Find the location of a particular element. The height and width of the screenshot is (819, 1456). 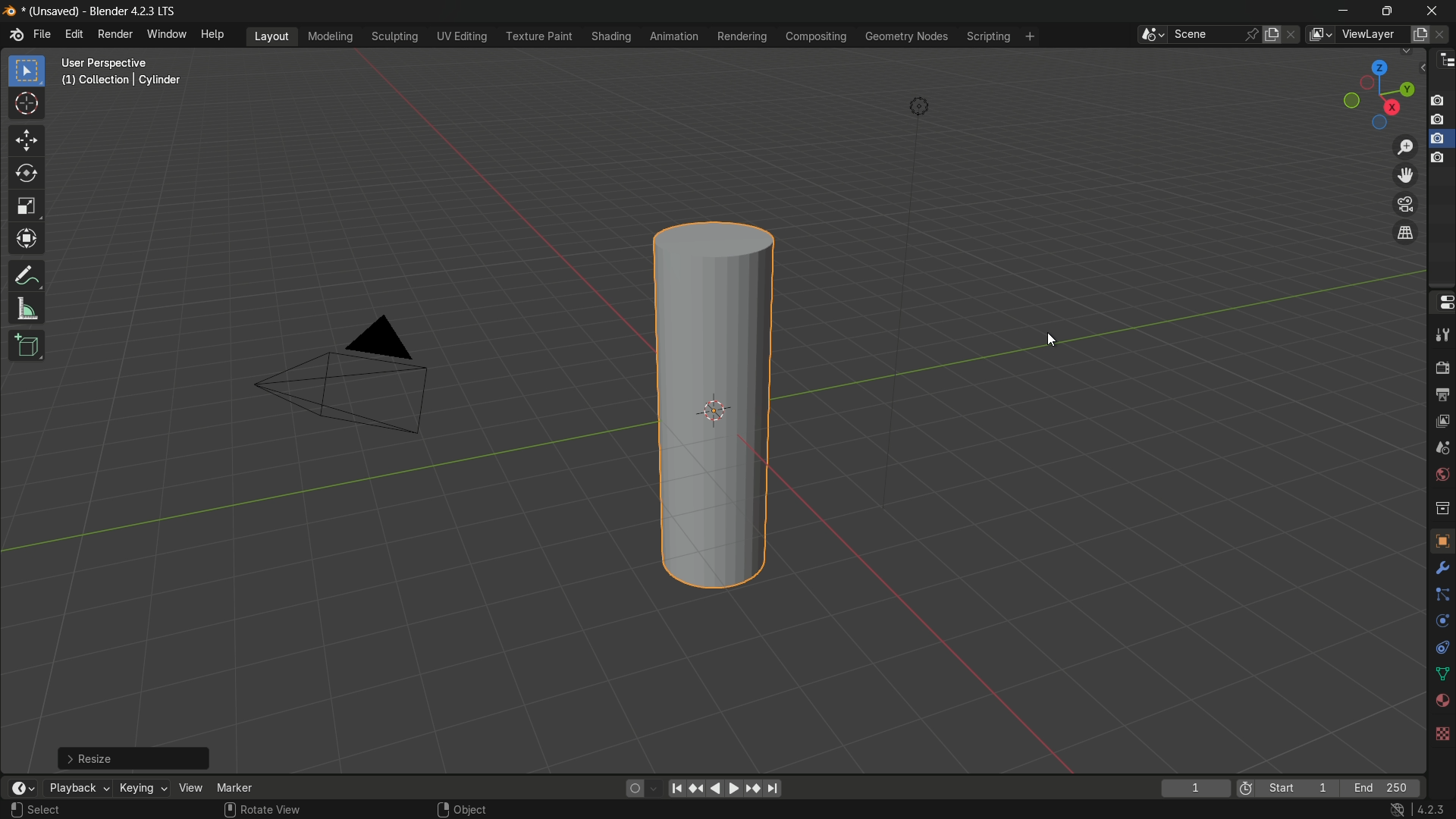

Select is located at coordinates (48, 811).